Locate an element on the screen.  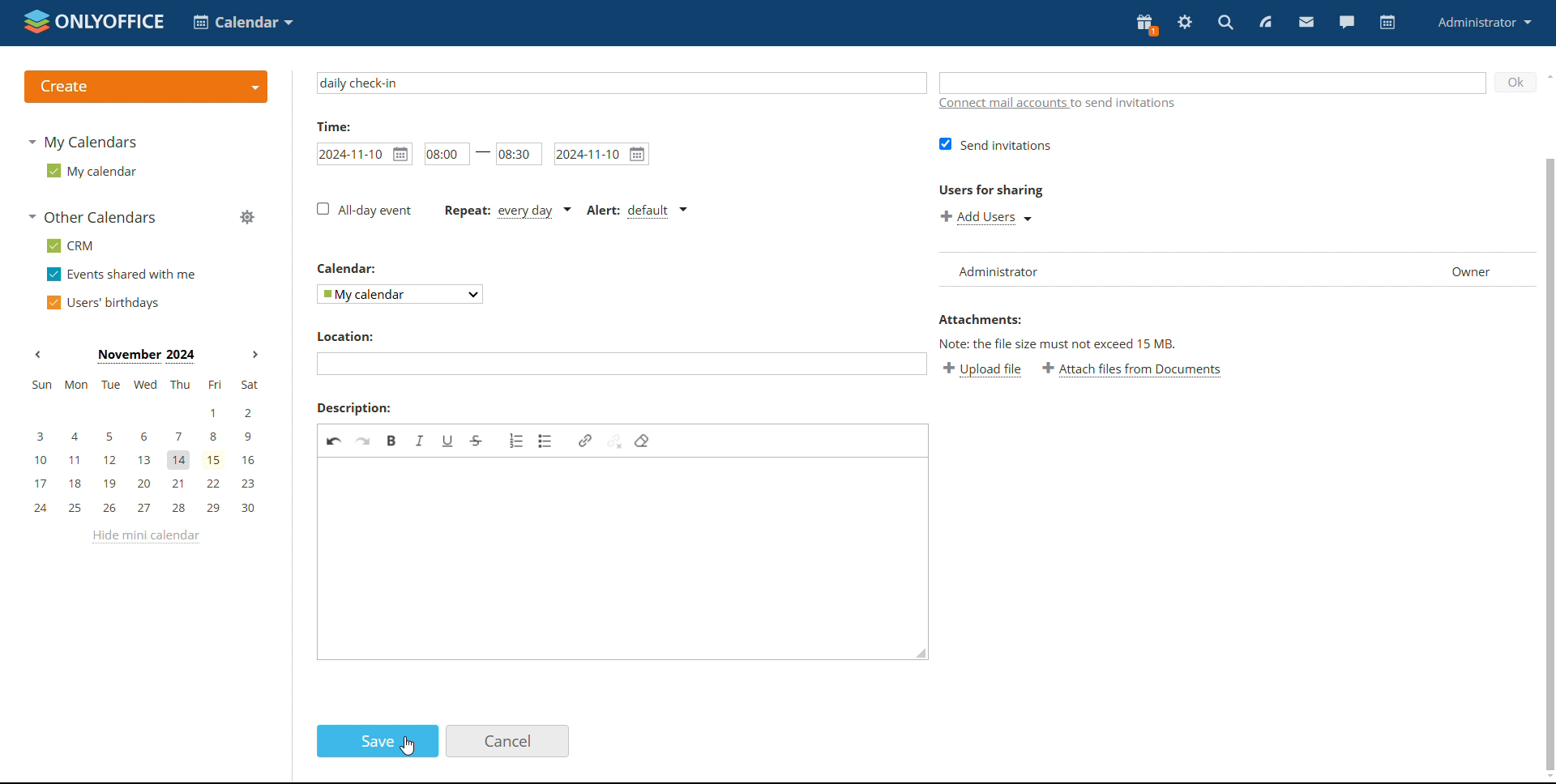
undo is located at coordinates (333, 445).